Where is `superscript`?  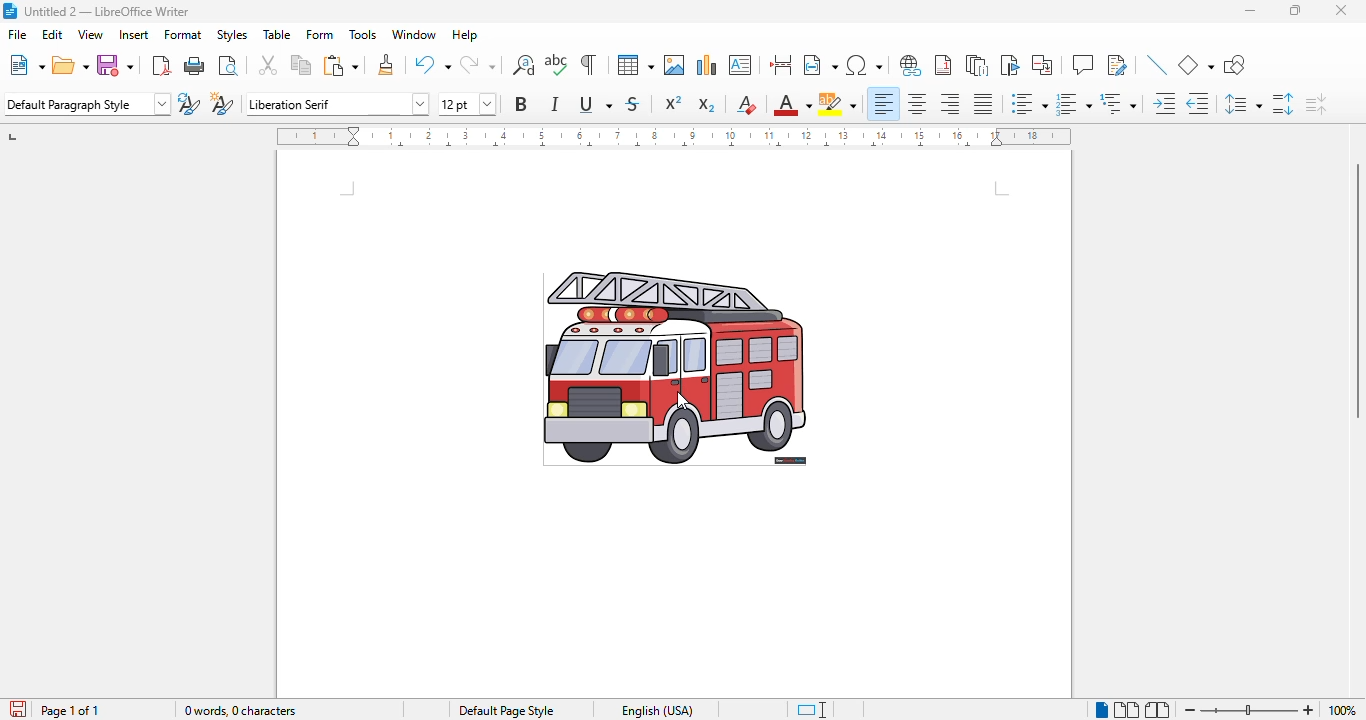 superscript is located at coordinates (673, 102).